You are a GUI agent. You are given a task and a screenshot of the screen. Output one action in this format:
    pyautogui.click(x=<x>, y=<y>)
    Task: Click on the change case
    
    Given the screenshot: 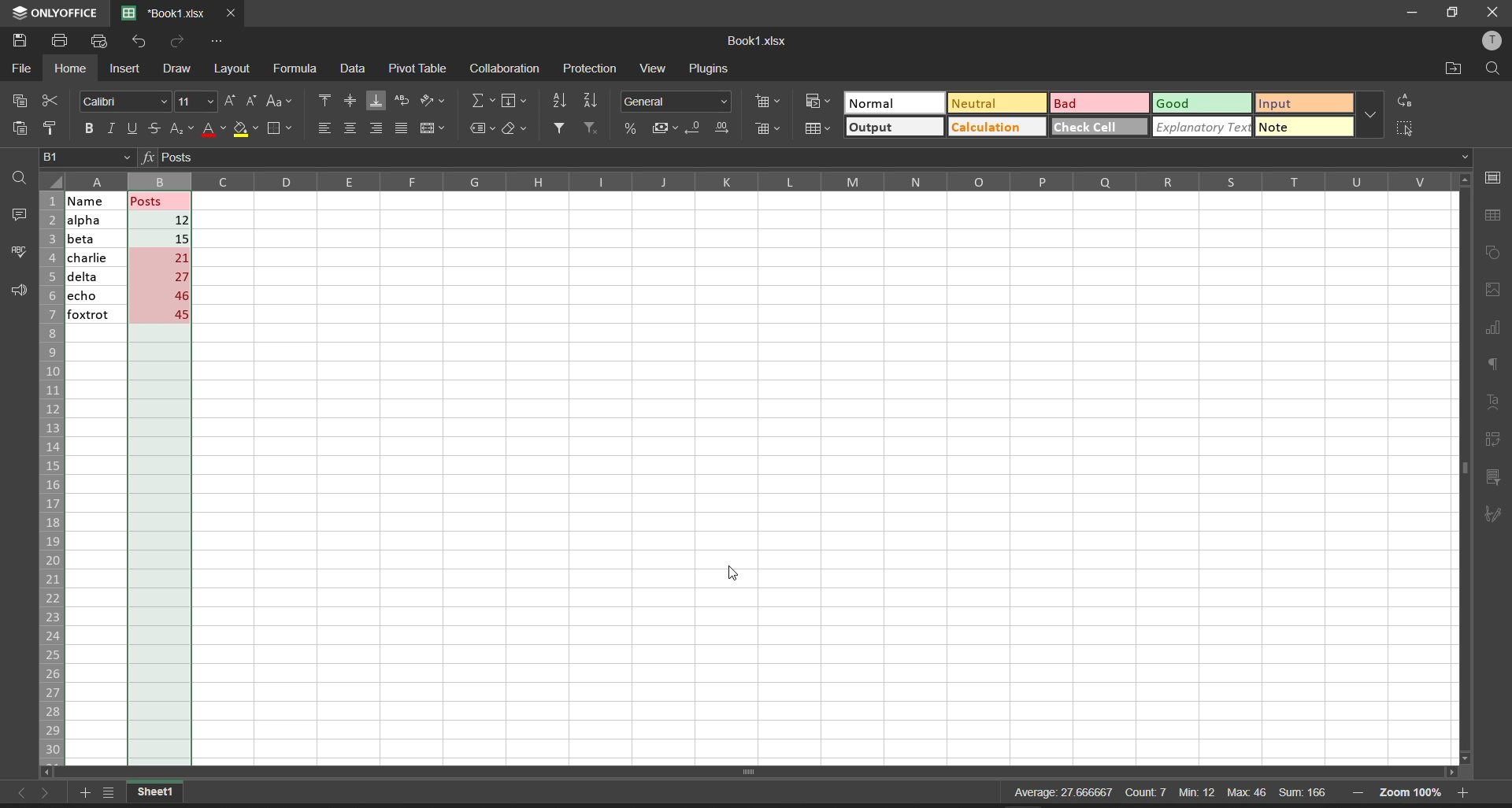 What is the action you would take?
    pyautogui.click(x=280, y=102)
    